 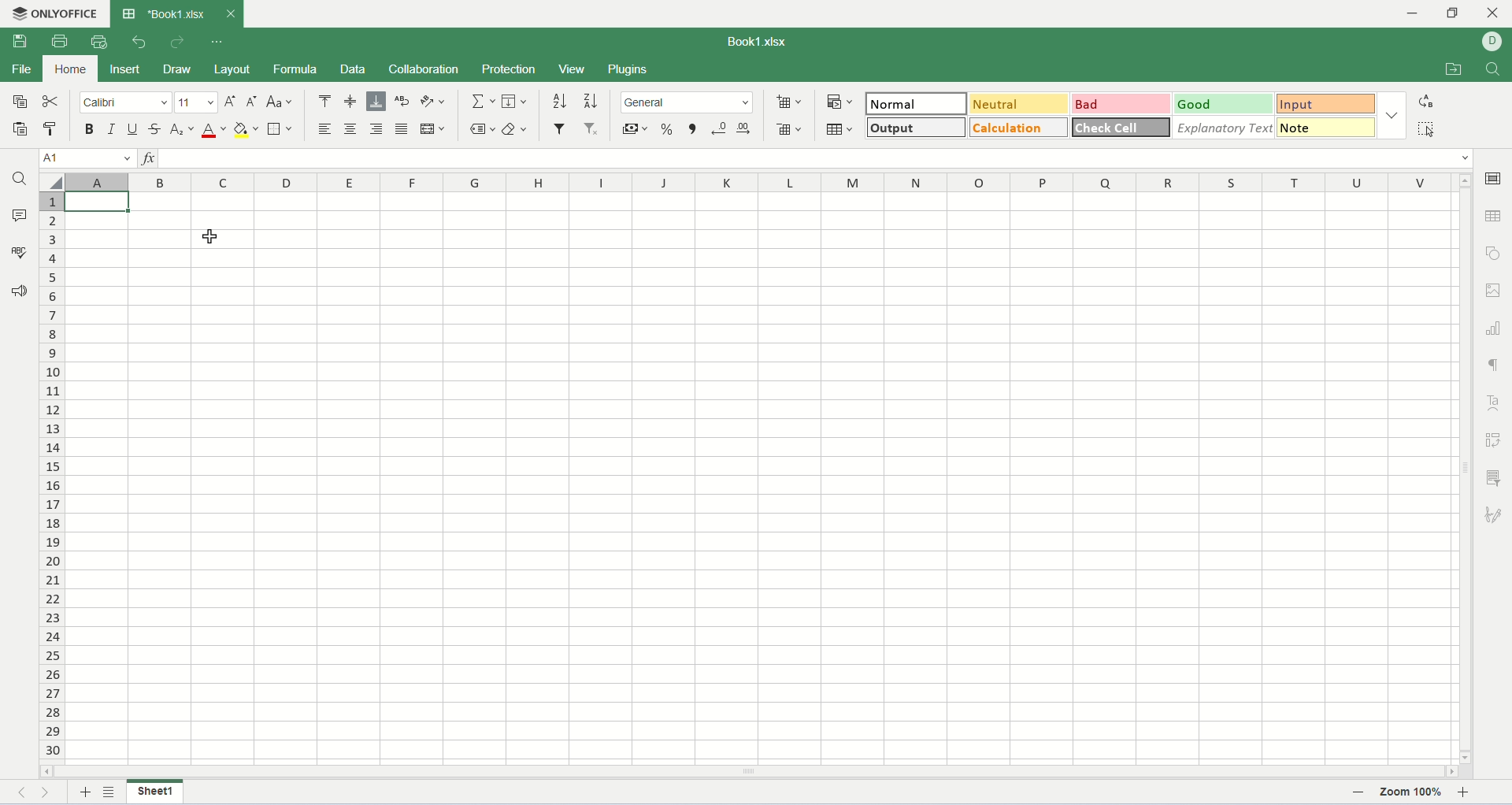 I want to click on sort ascending, so click(x=561, y=101).